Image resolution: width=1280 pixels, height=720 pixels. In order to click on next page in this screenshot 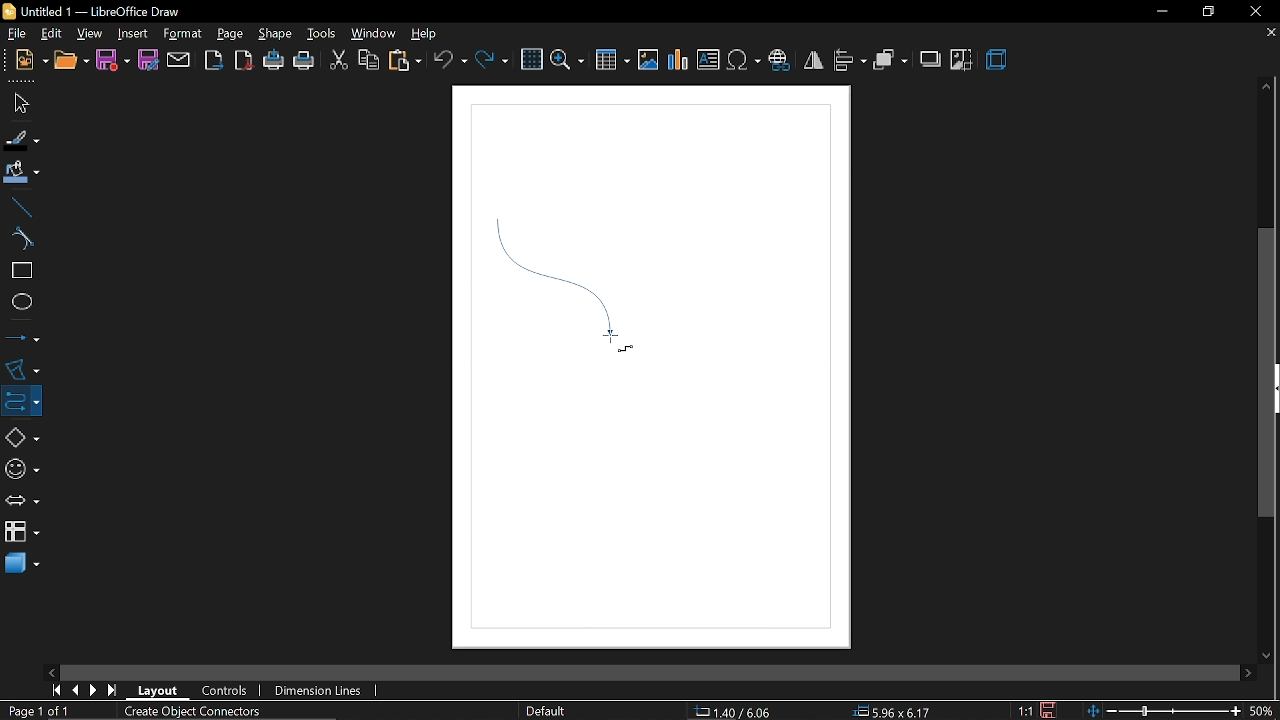, I will do `click(93, 690)`.